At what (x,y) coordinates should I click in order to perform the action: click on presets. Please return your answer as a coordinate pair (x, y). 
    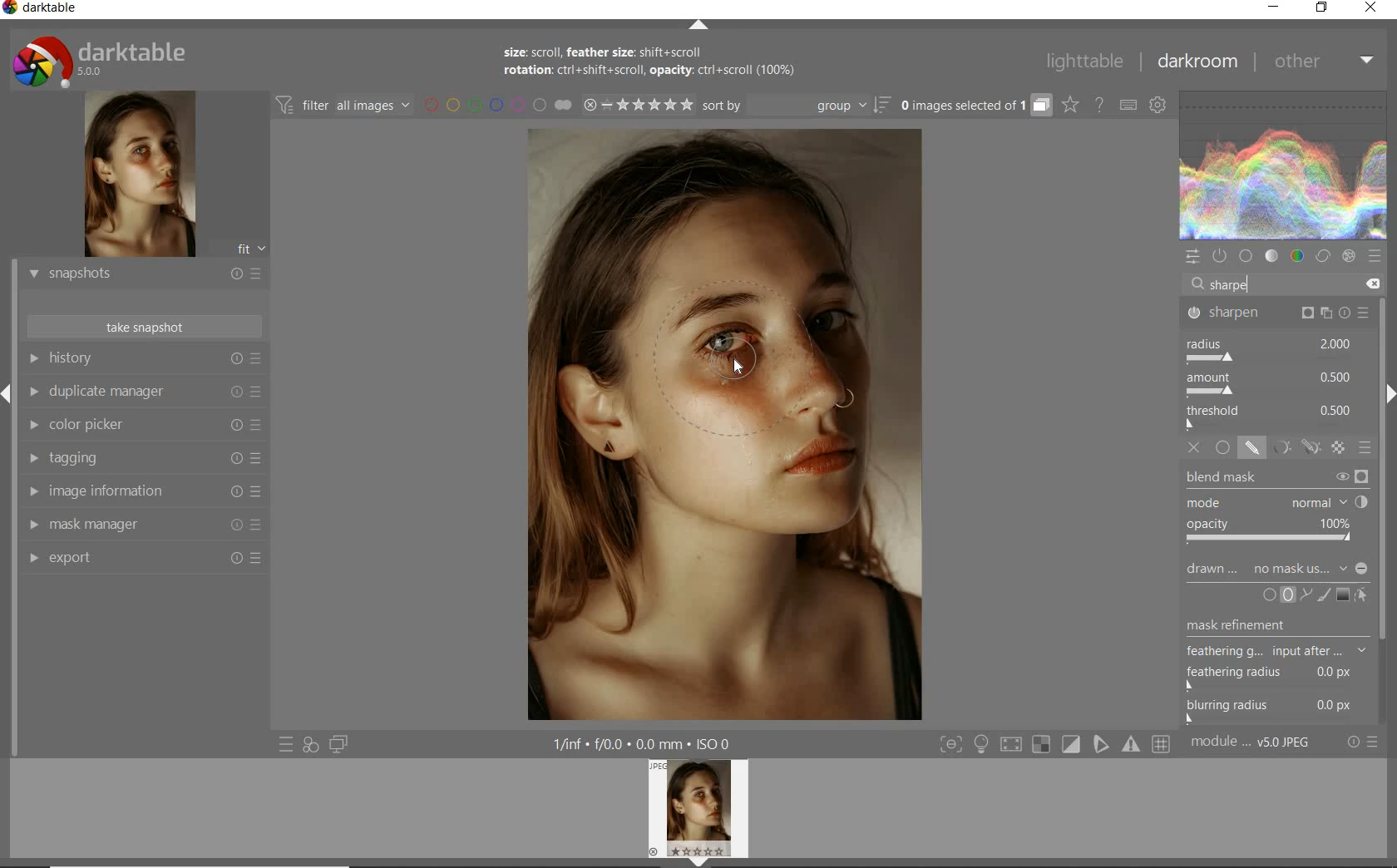
    Looking at the image, I should click on (1374, 256).